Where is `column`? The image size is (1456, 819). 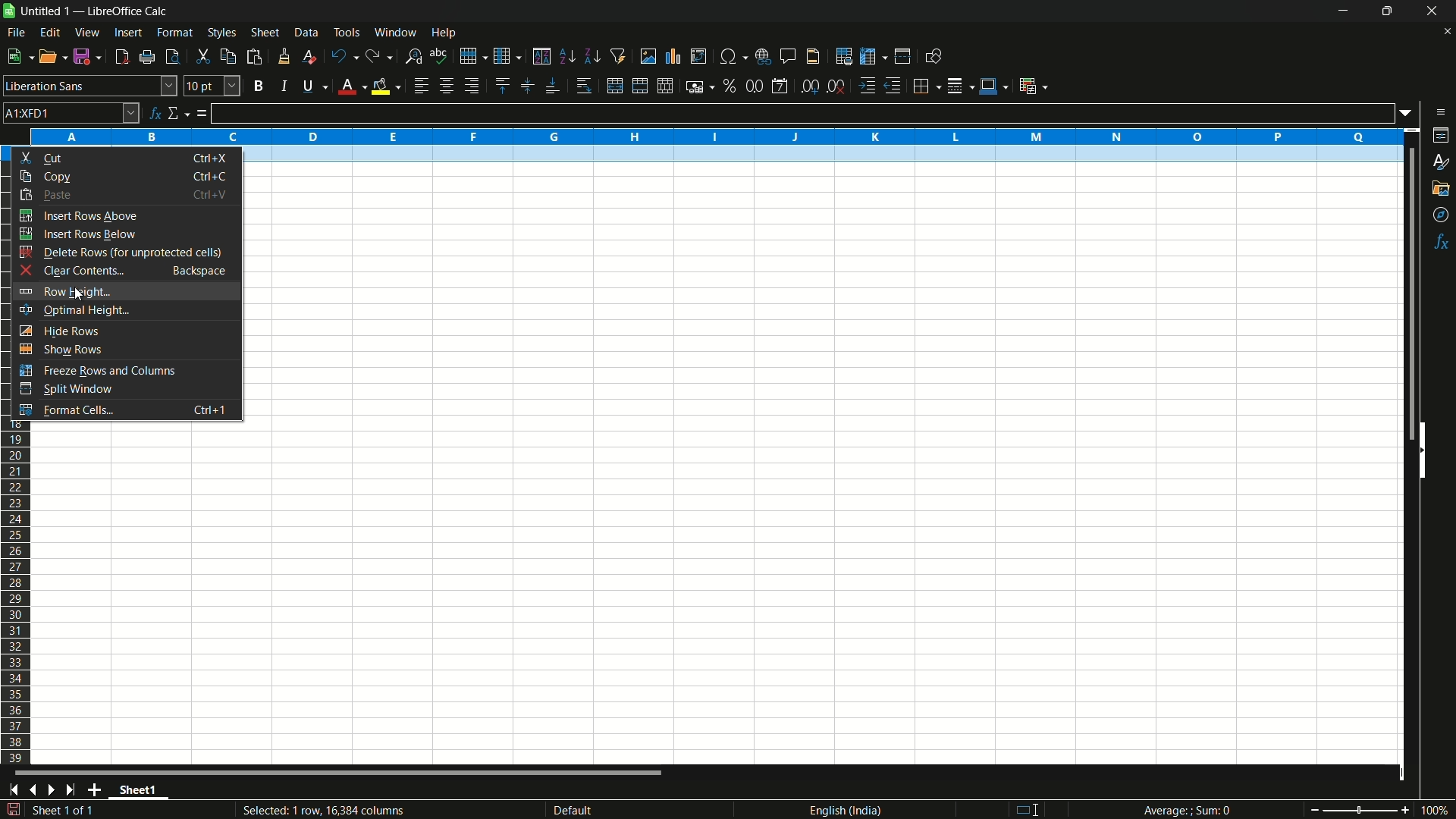
column is located at coordinates (508, 57).